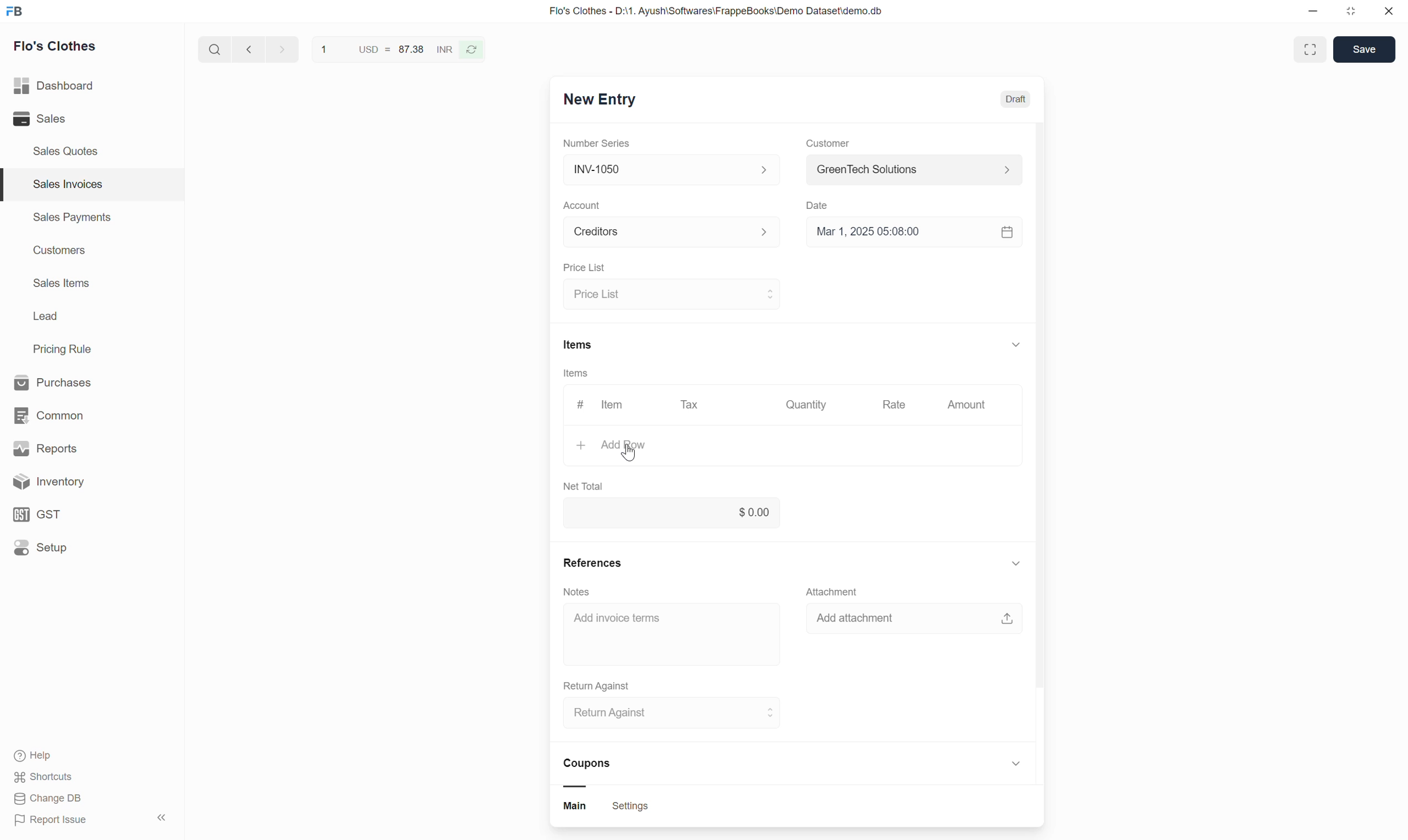 The image size is (1408, 840). What do you see at coordinates (911, 172) in the screenshot?
I see `select customer` at bounding box center [911, 172].